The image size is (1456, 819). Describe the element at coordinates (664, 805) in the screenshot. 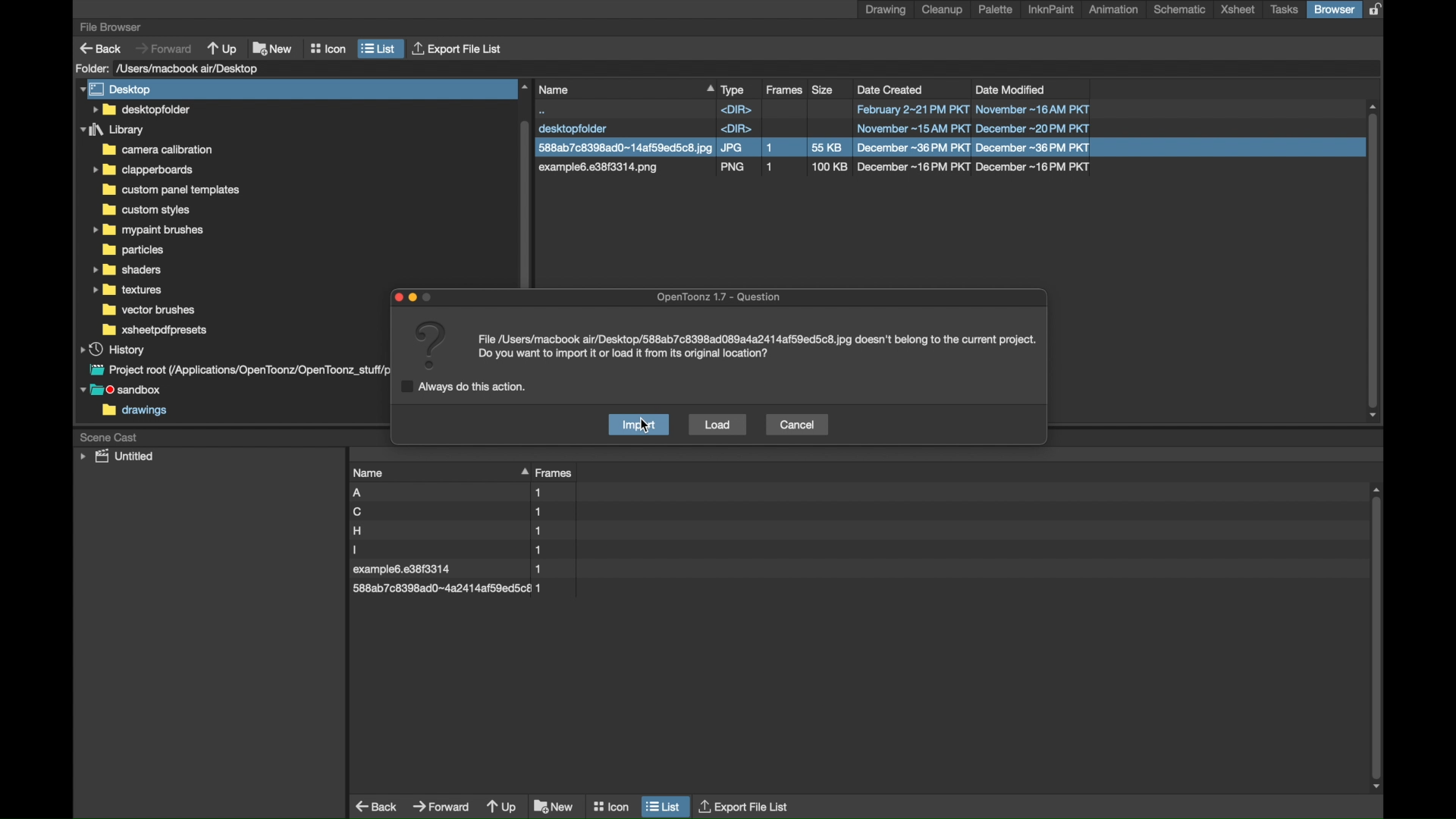

I see `list` at that location.